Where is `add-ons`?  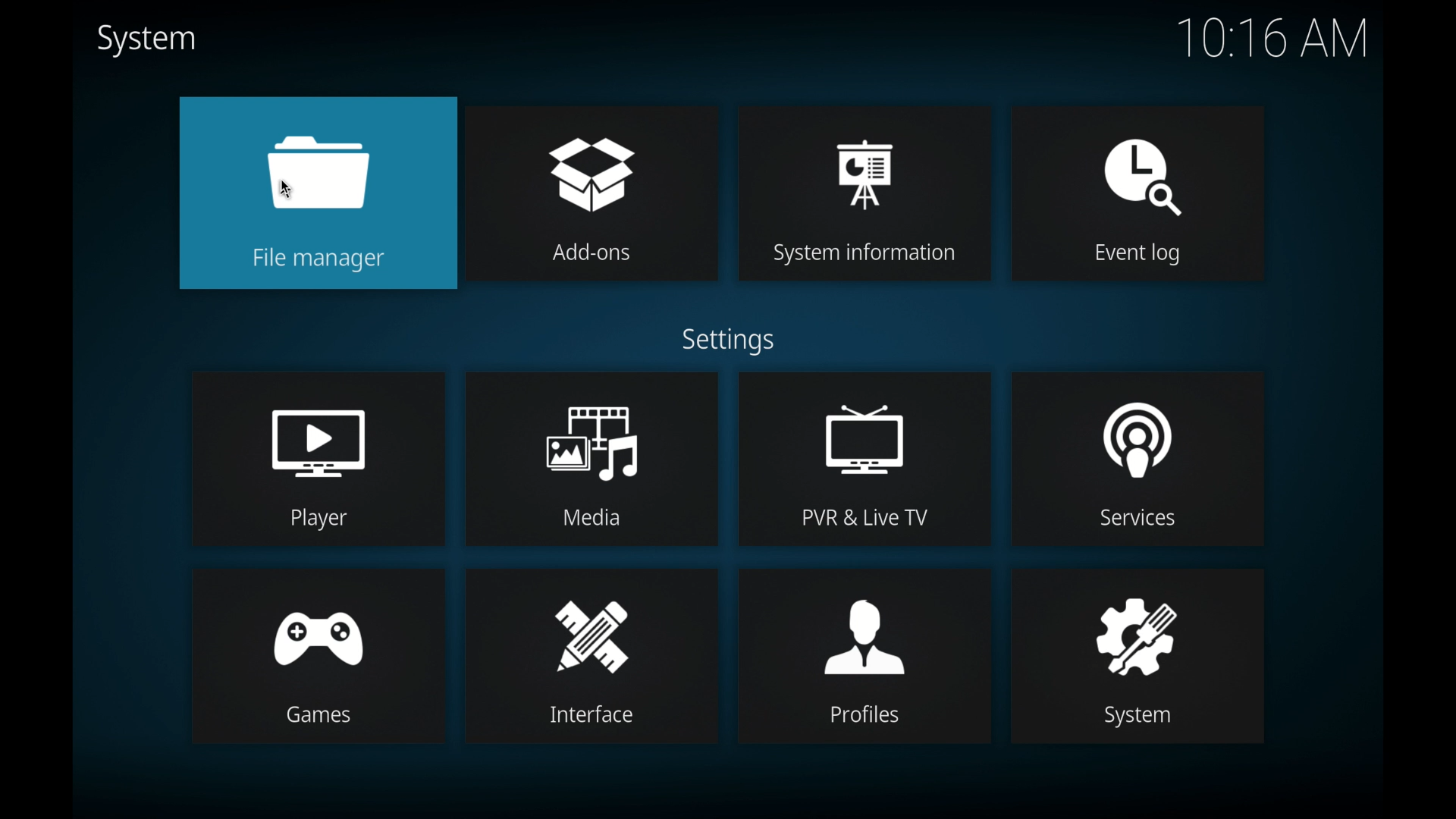
add-ons is located at coordinates (593, 193).